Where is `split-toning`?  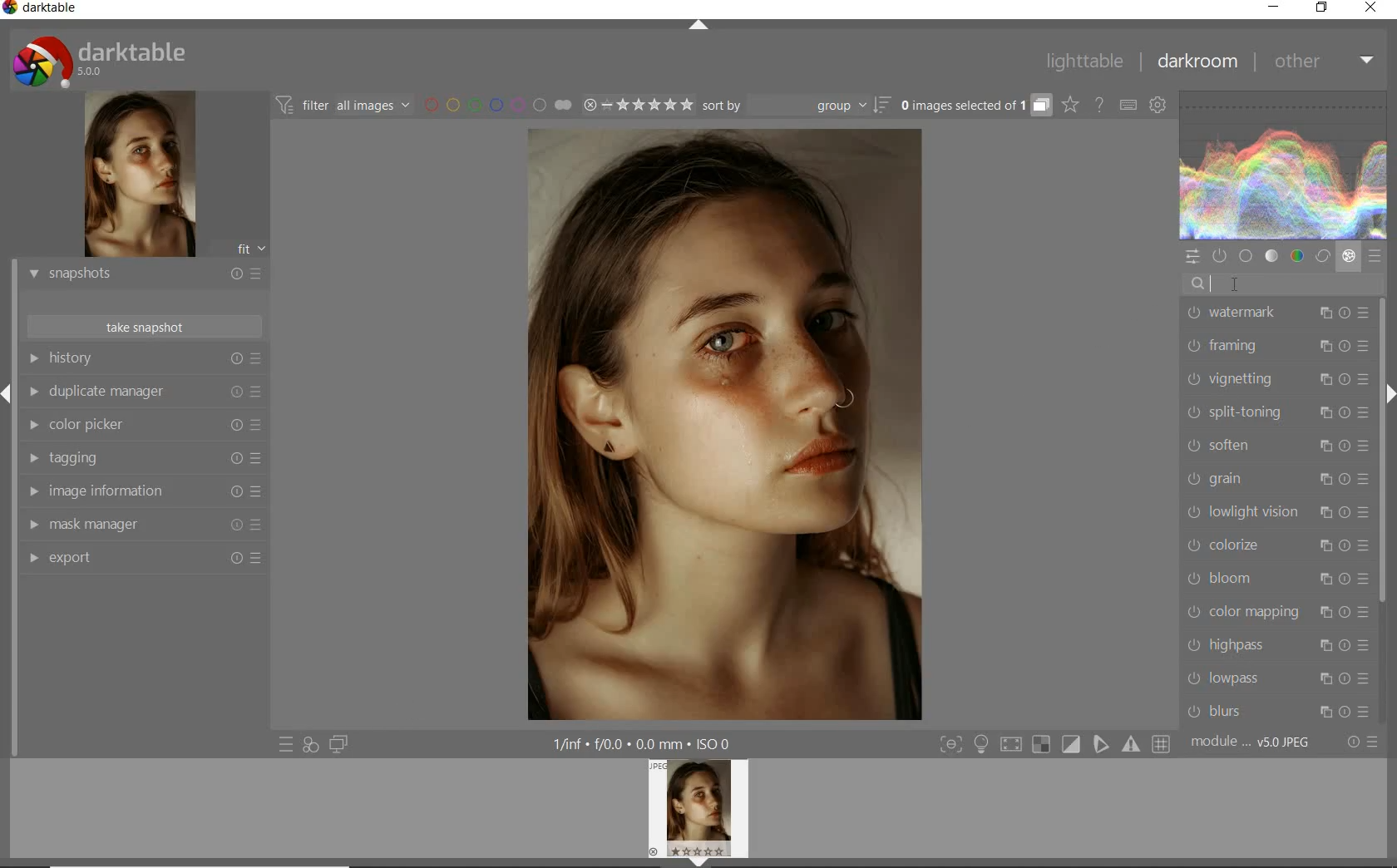
split-toning is located at coordinates (1276, 412).